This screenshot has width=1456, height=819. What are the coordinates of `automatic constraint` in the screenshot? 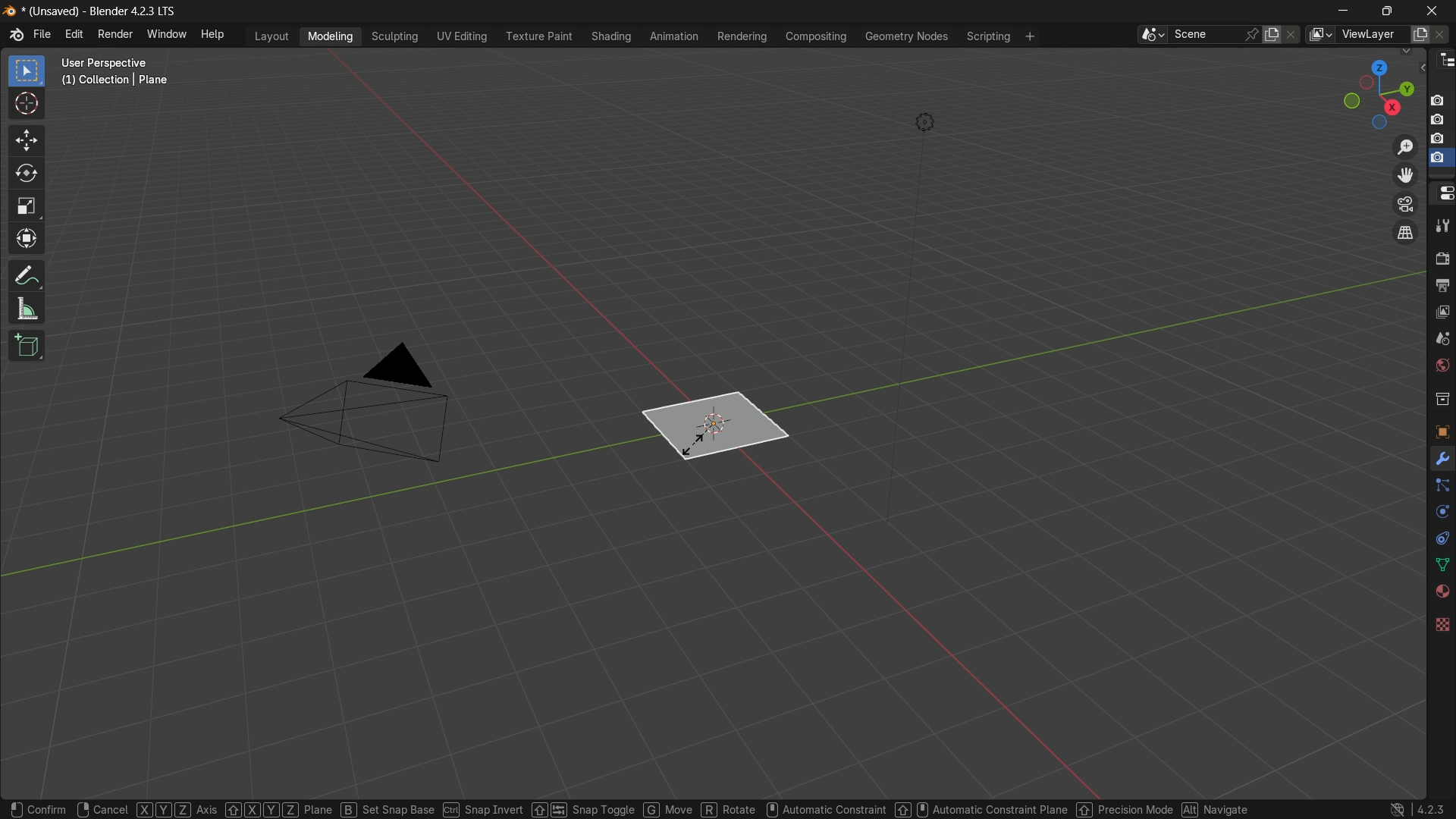 It's located at (824, 805).